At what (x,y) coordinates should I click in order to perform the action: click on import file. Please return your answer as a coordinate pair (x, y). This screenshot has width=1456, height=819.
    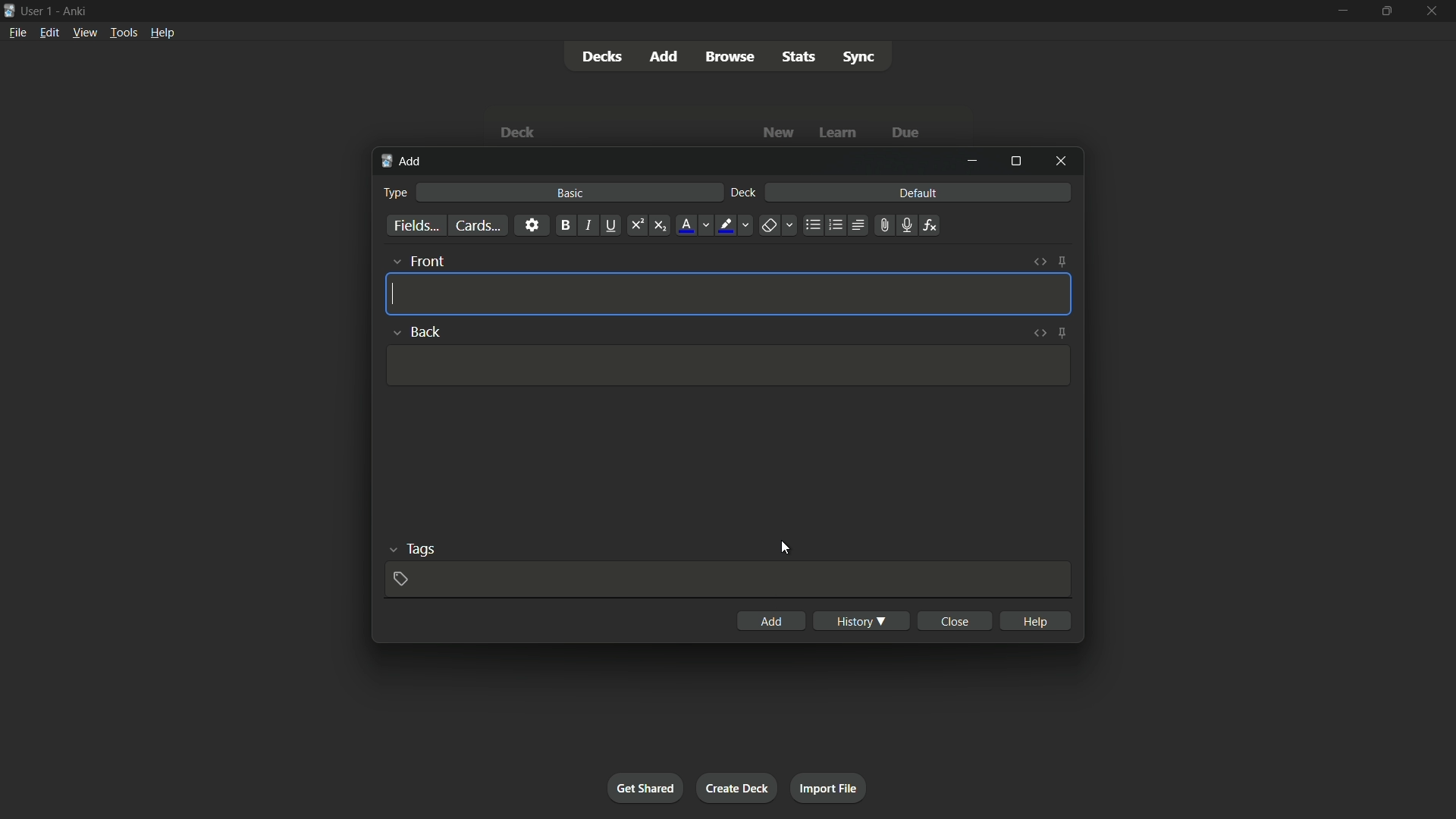
    Looking at the image, I should click on (831, 787).